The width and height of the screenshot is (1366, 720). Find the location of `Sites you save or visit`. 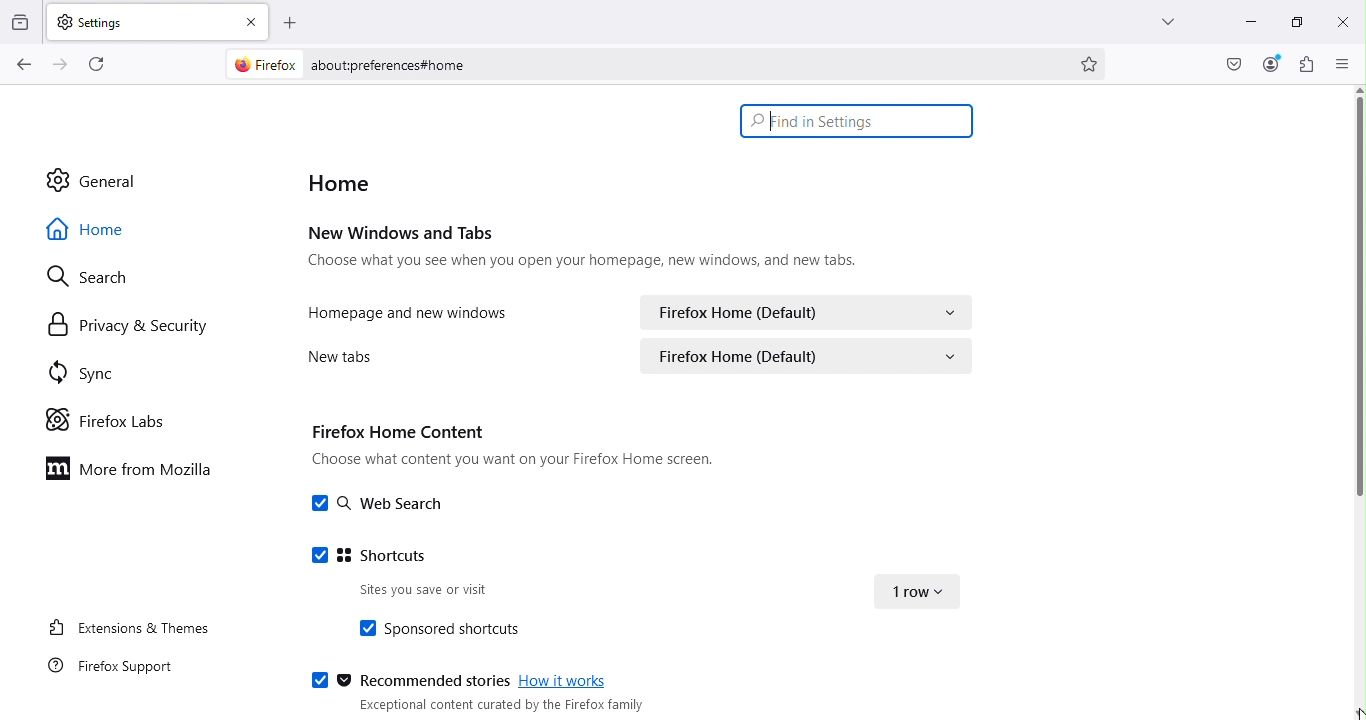

Sites you save or visit is located at coordinates (405, 591).